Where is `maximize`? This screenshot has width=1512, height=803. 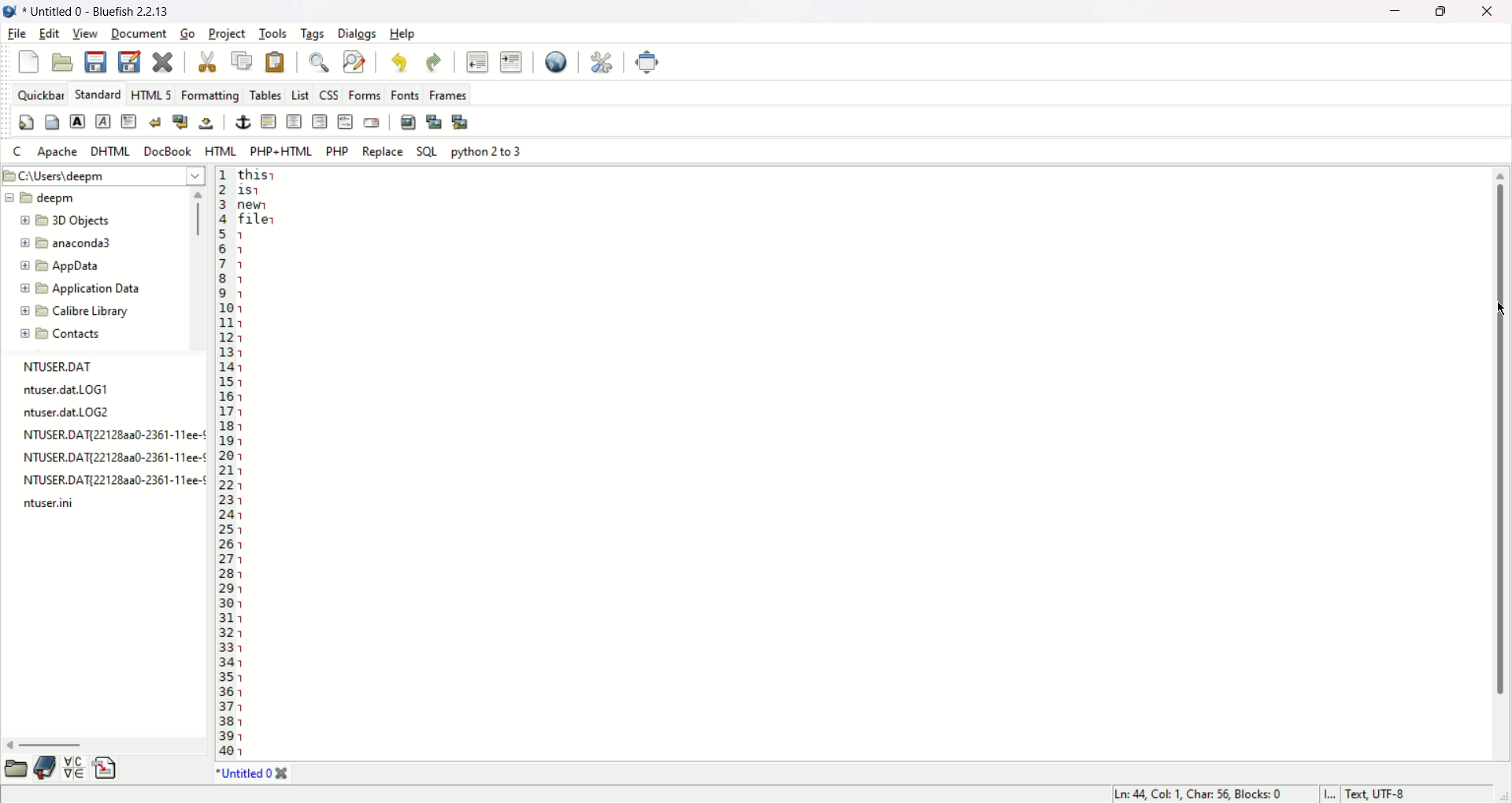 maximize is located at coordinates (1444, 11).